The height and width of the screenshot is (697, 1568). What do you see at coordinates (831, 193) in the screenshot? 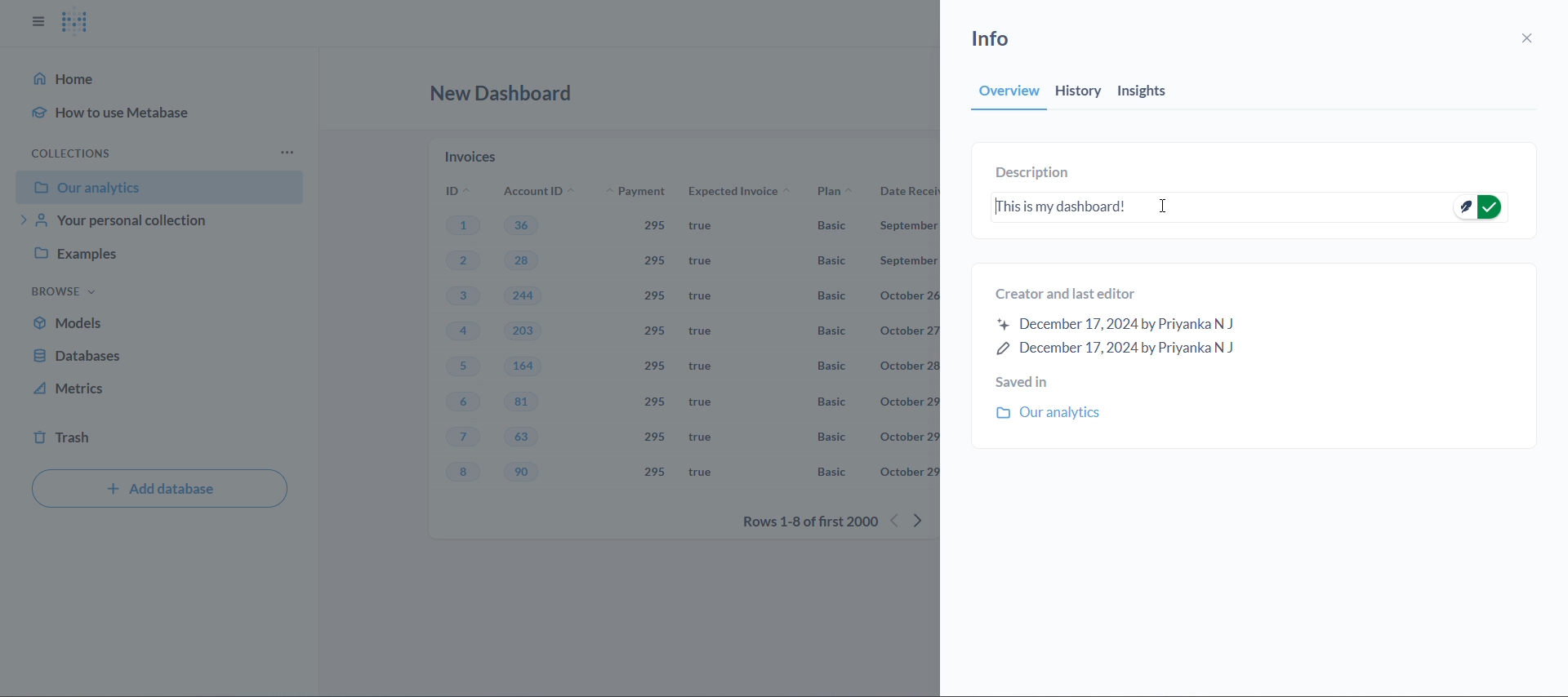
I see `plan` at bounding box center [831, 193].